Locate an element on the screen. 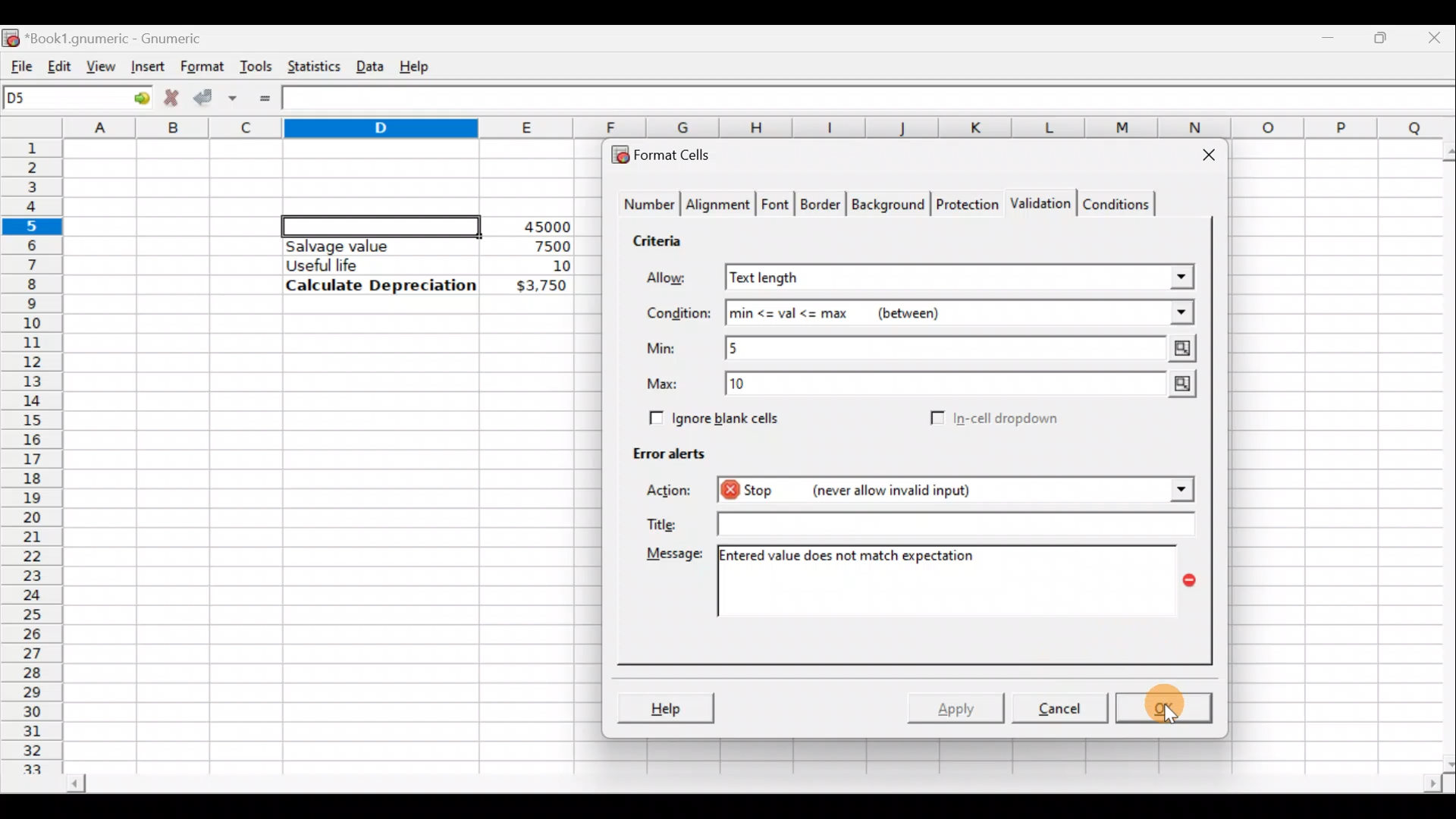 Image resolution: width=1456 pixels, height=819 pixels. Enter formula is located at coordinates (265, 99).